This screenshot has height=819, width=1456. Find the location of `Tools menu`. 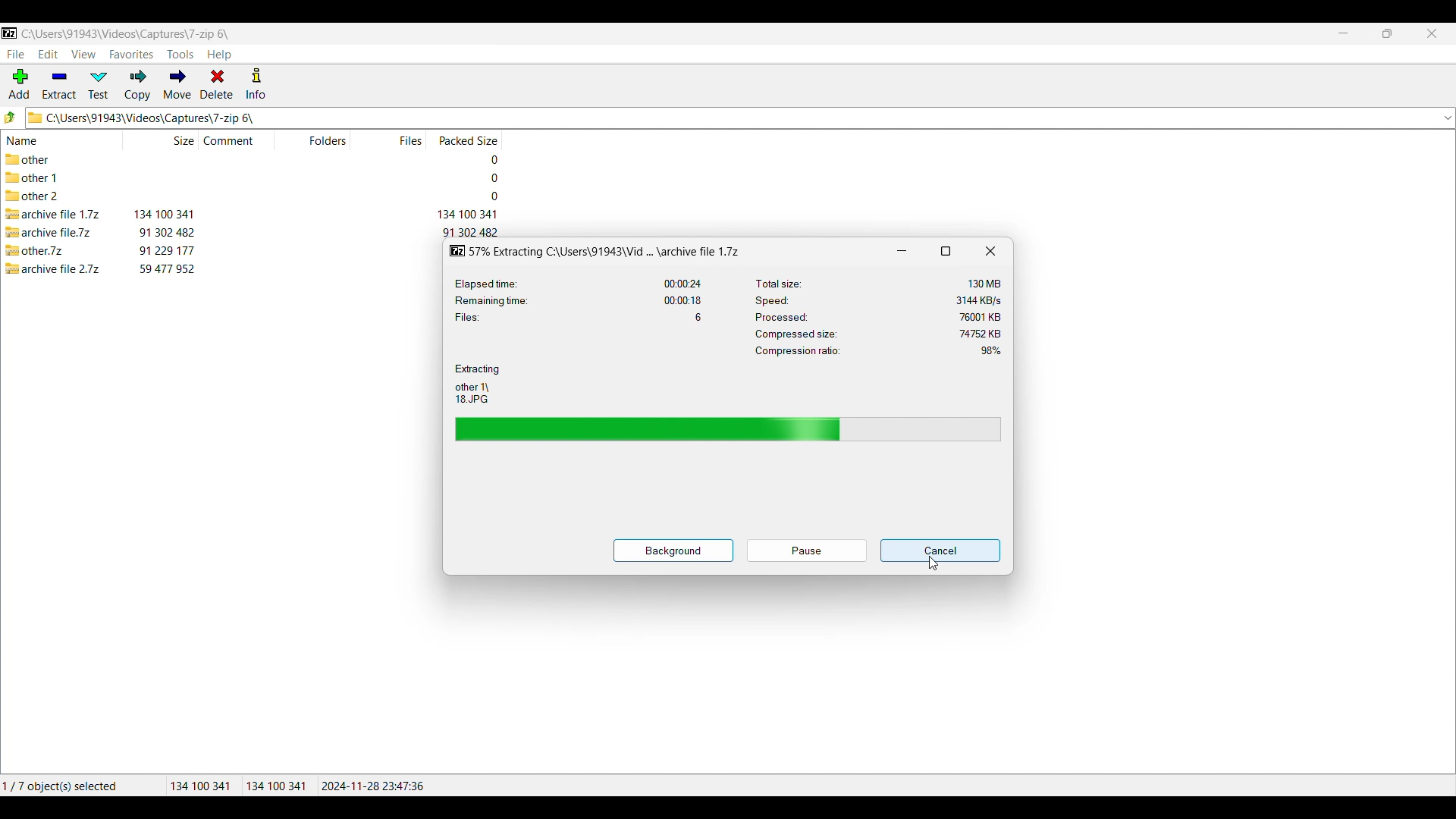

Tools menu is located at coordinates (180, 55).